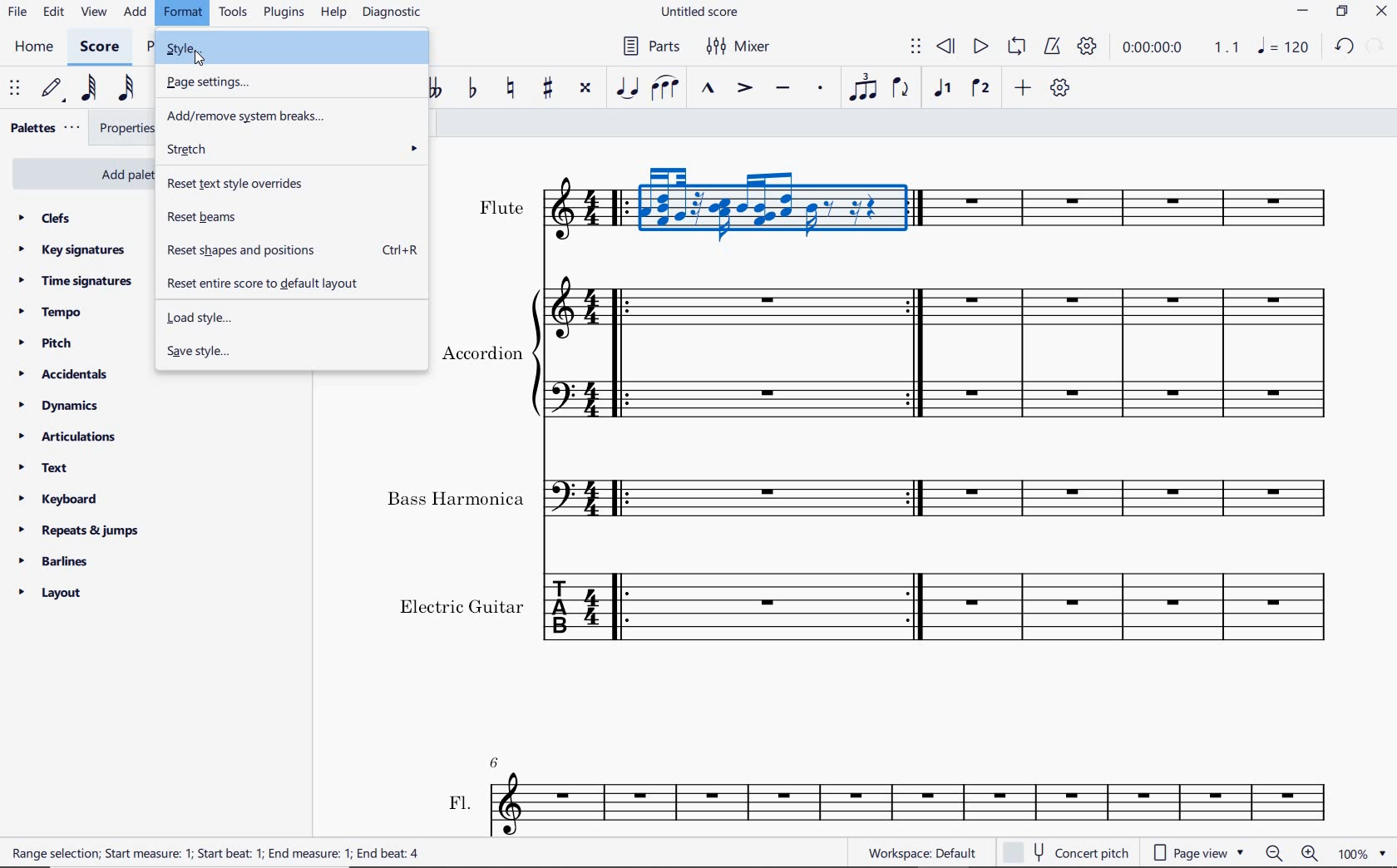 The height and width of the screenshot is (868, 1397). Describe the element at coordinates (863, 492) in the screenshot. I see `Instrument: Bass Harmonica` at that location.